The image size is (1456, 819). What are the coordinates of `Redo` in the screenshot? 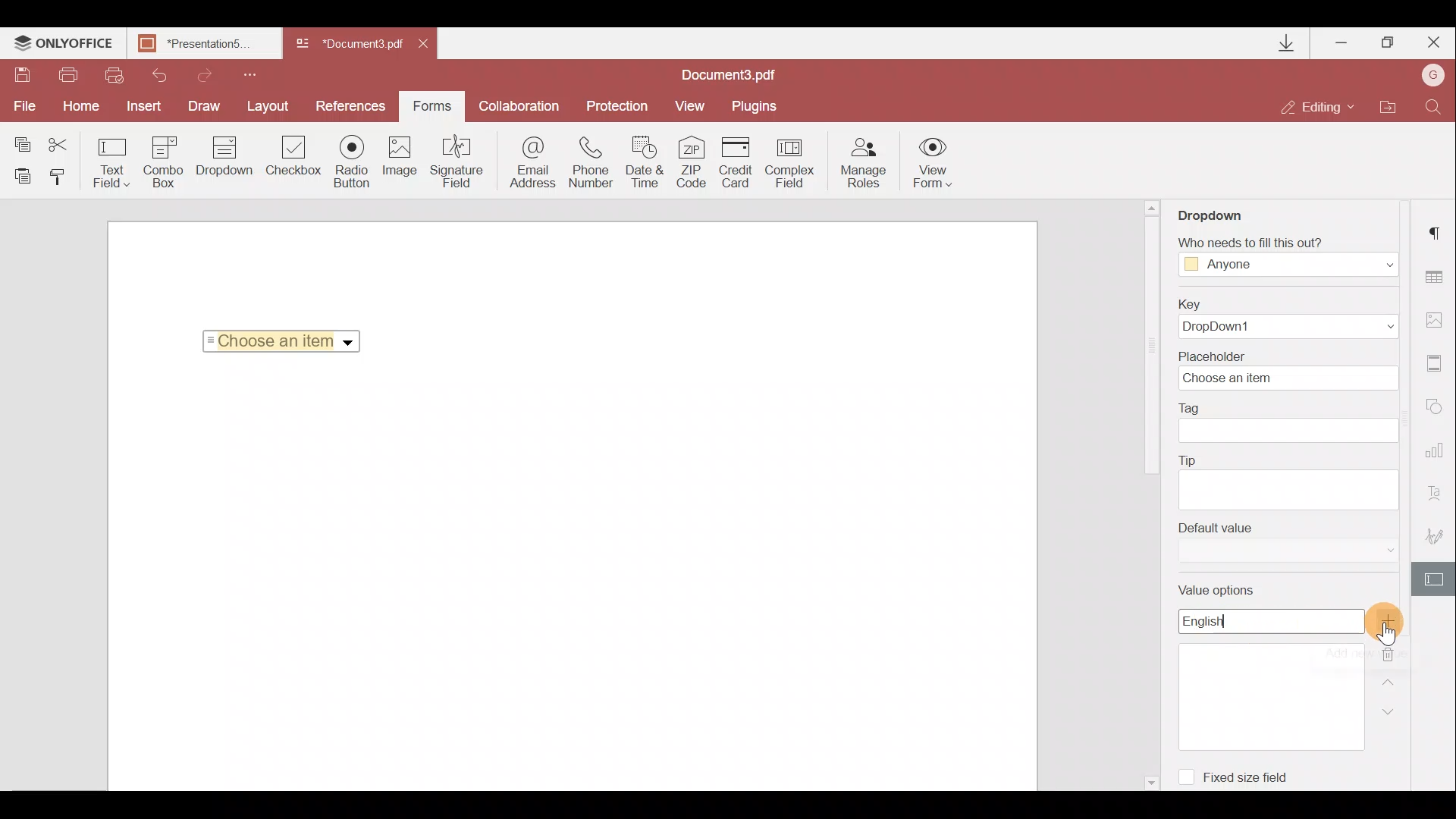 It's located at (197, 73).